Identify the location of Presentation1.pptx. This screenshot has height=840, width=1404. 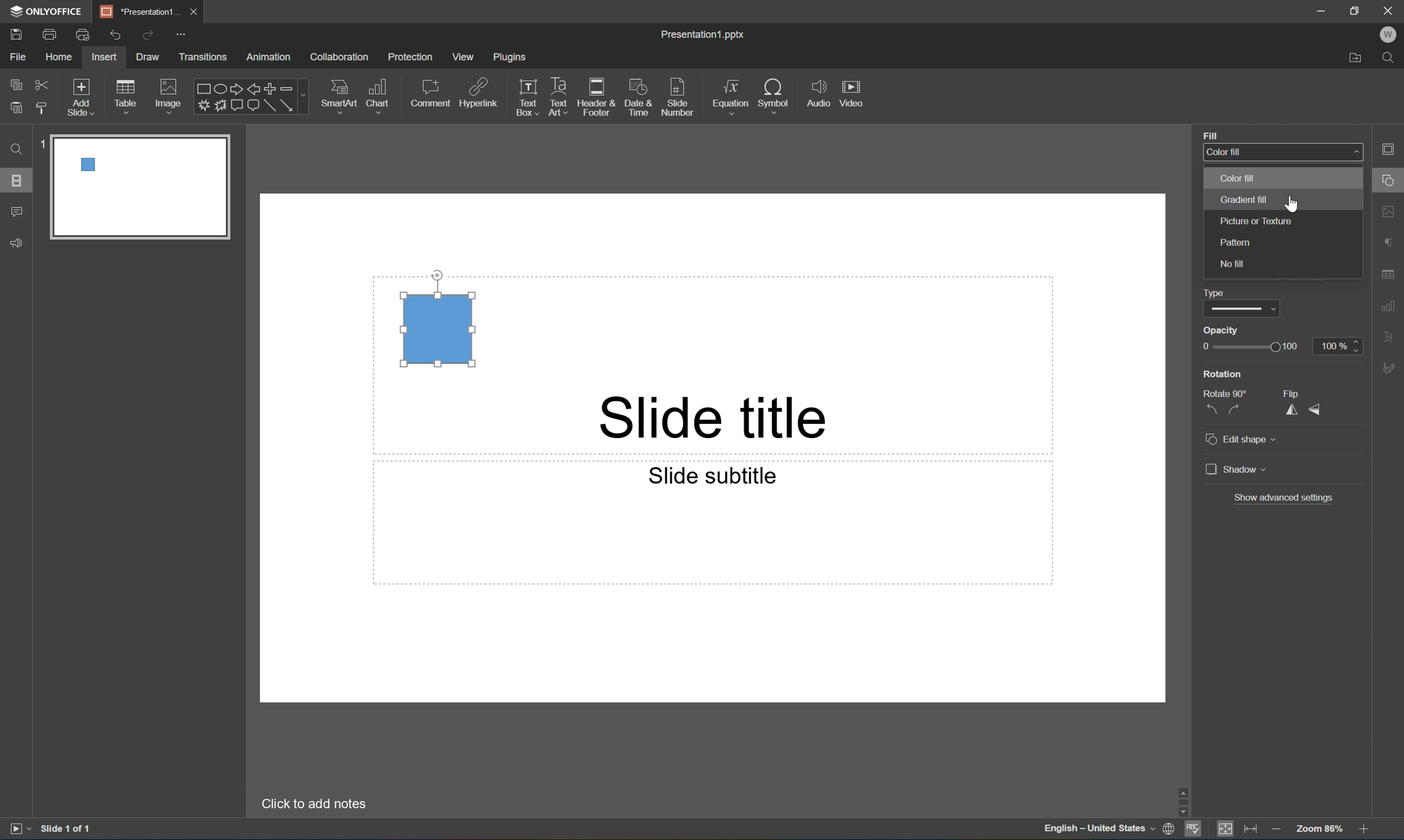
(705, 36).